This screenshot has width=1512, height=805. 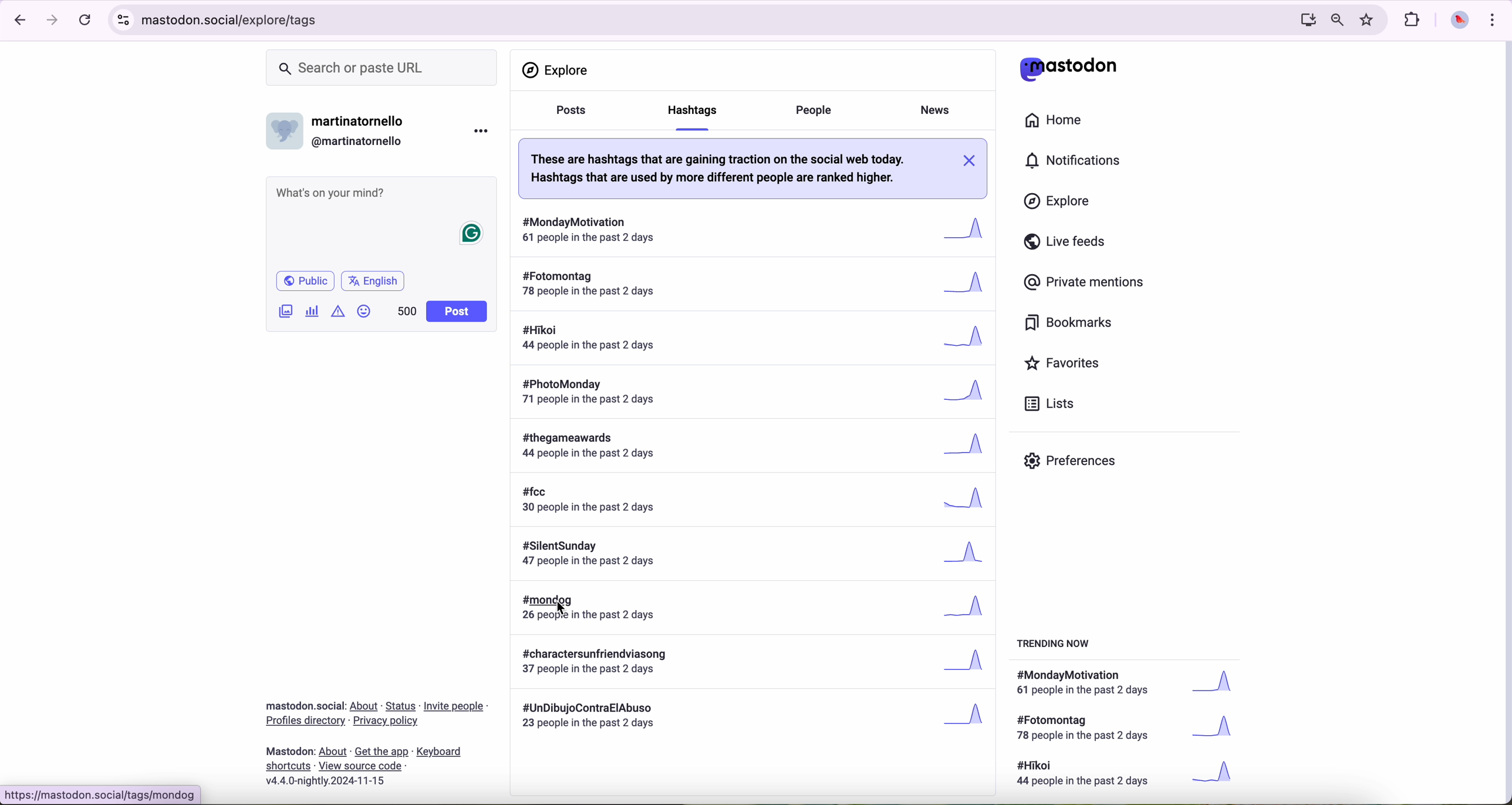 What do you see at coordinates (1055, 119) in the screenshot?
I see `home` at bounding box center [1055, 119].